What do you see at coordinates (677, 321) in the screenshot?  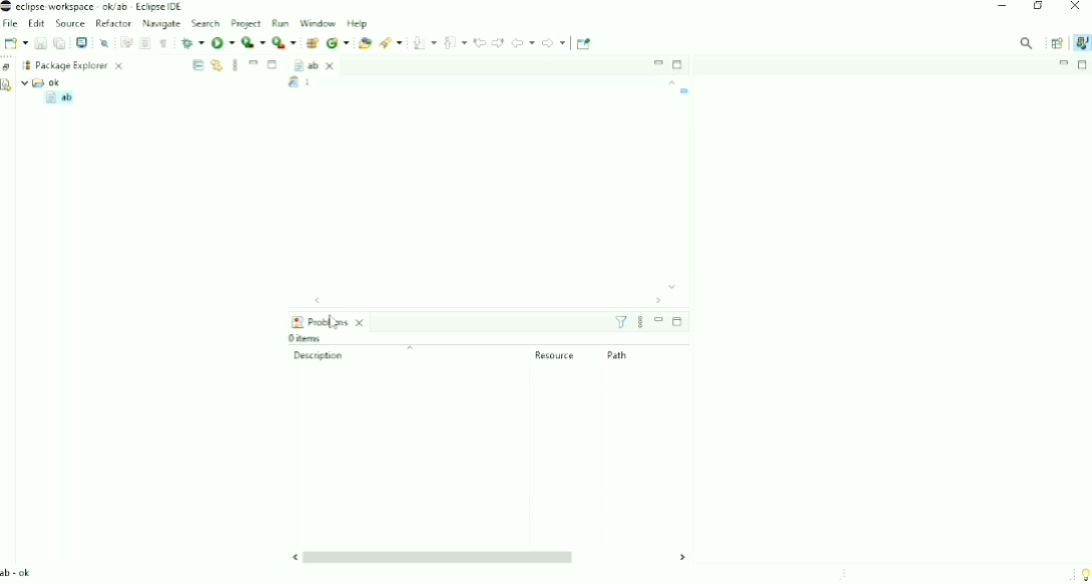 I see `Maximize` at bounding box center [677, 321].